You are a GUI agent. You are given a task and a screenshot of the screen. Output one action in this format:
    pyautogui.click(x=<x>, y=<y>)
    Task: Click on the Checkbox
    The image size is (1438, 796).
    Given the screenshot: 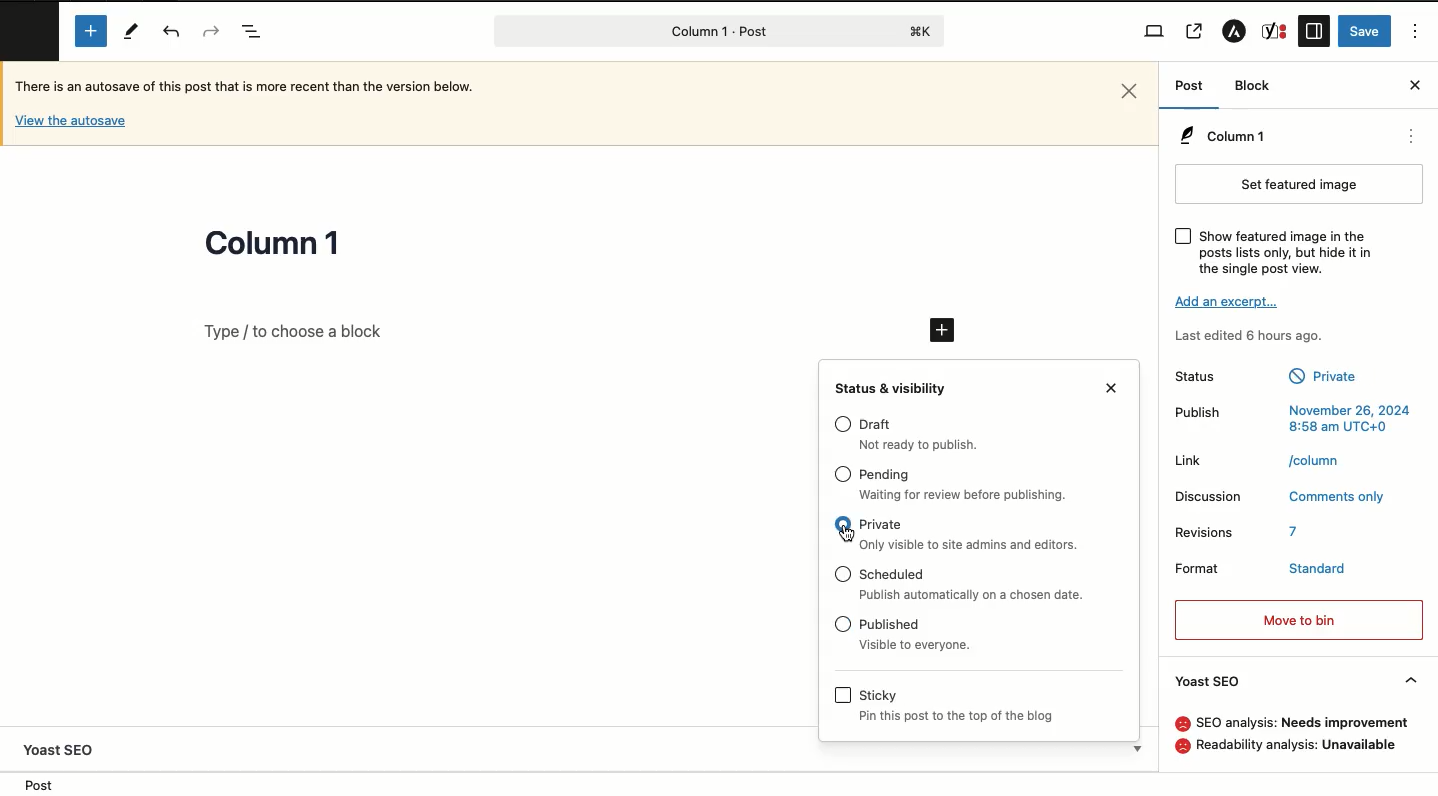 What is the action you would take?
    pyautogui.click(x=842, y=694)
    